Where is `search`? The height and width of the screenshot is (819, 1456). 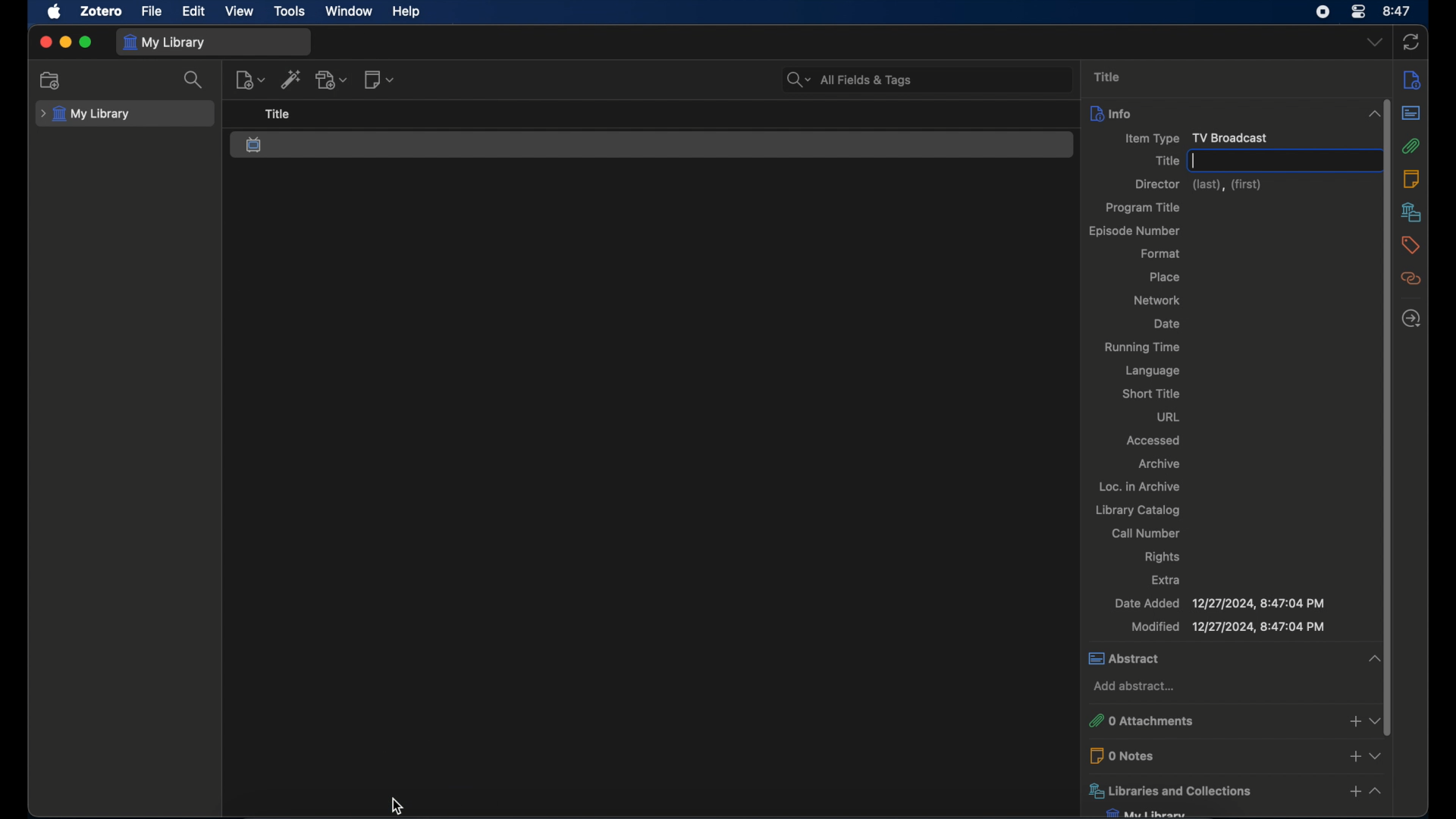 search is located at coordinates (195, 80).